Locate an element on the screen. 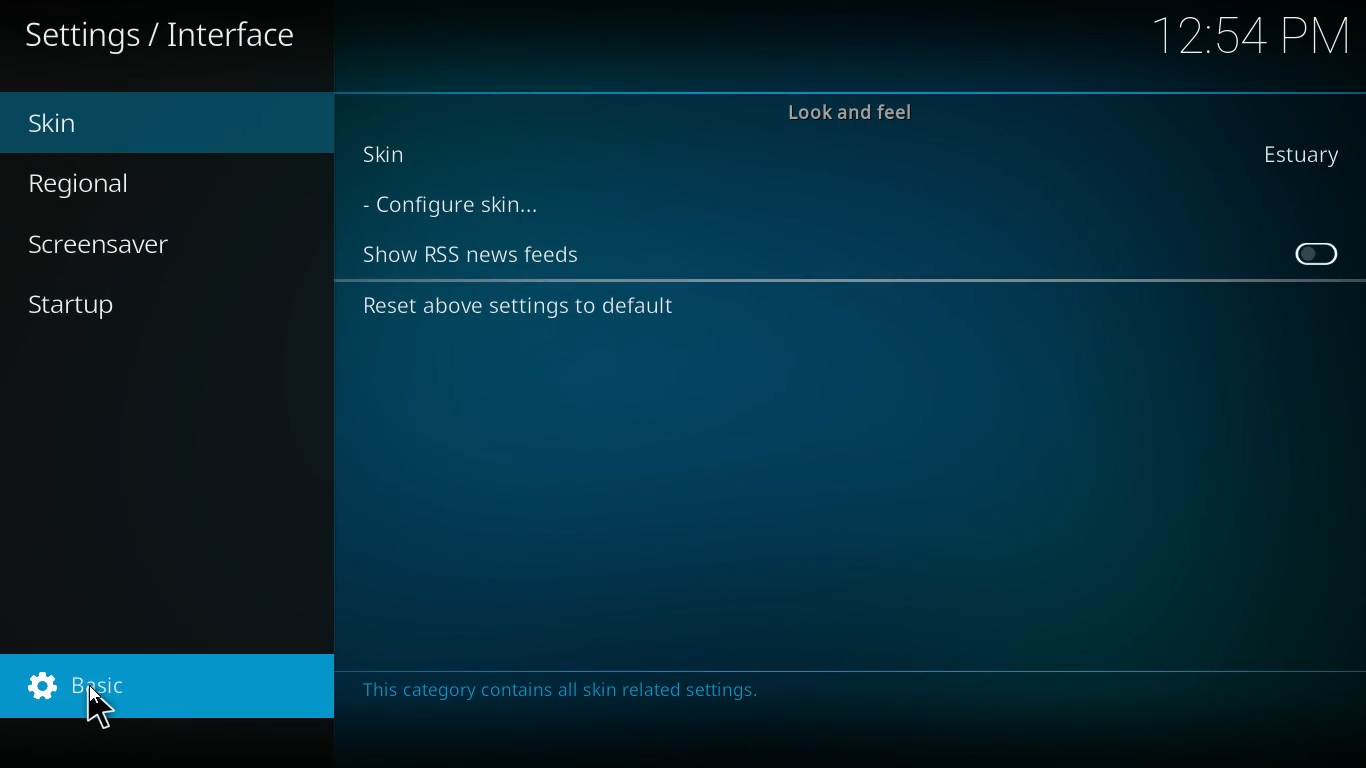  regional is located at coordinates (126, 184).